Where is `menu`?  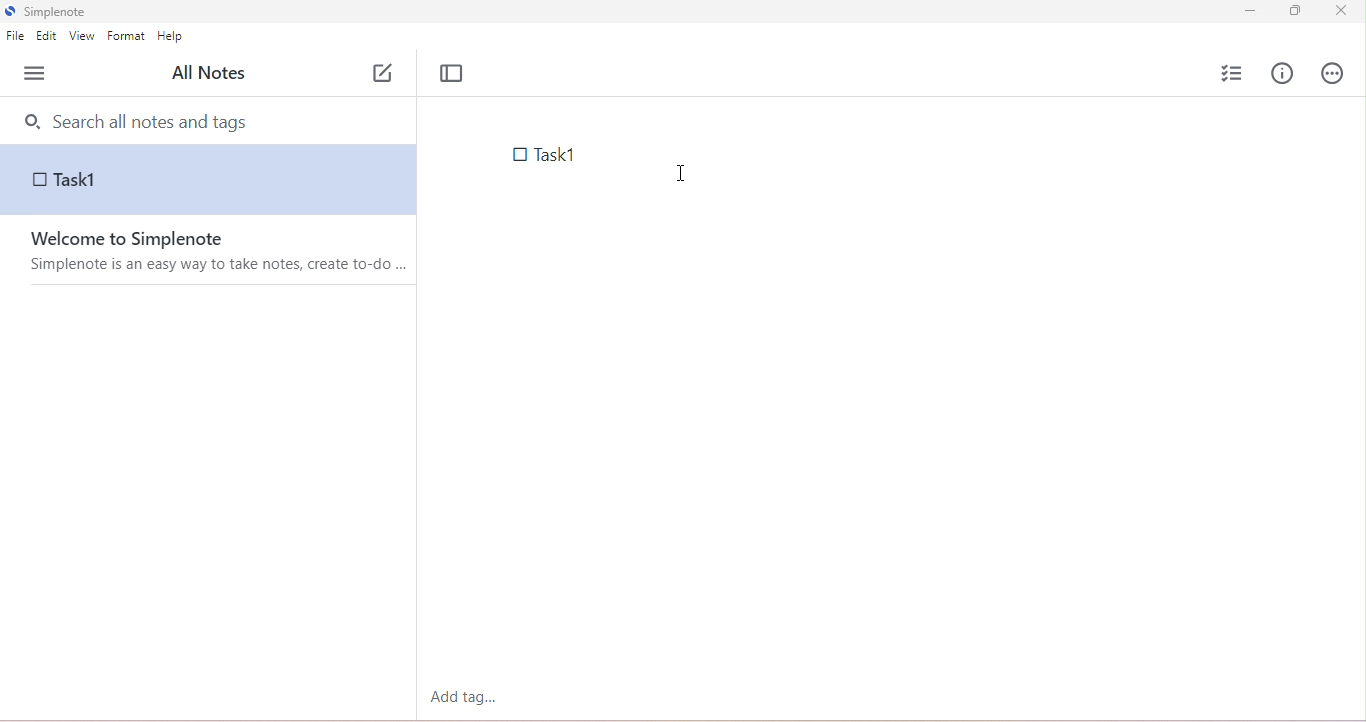
menu is located at coordinates (35, 74).